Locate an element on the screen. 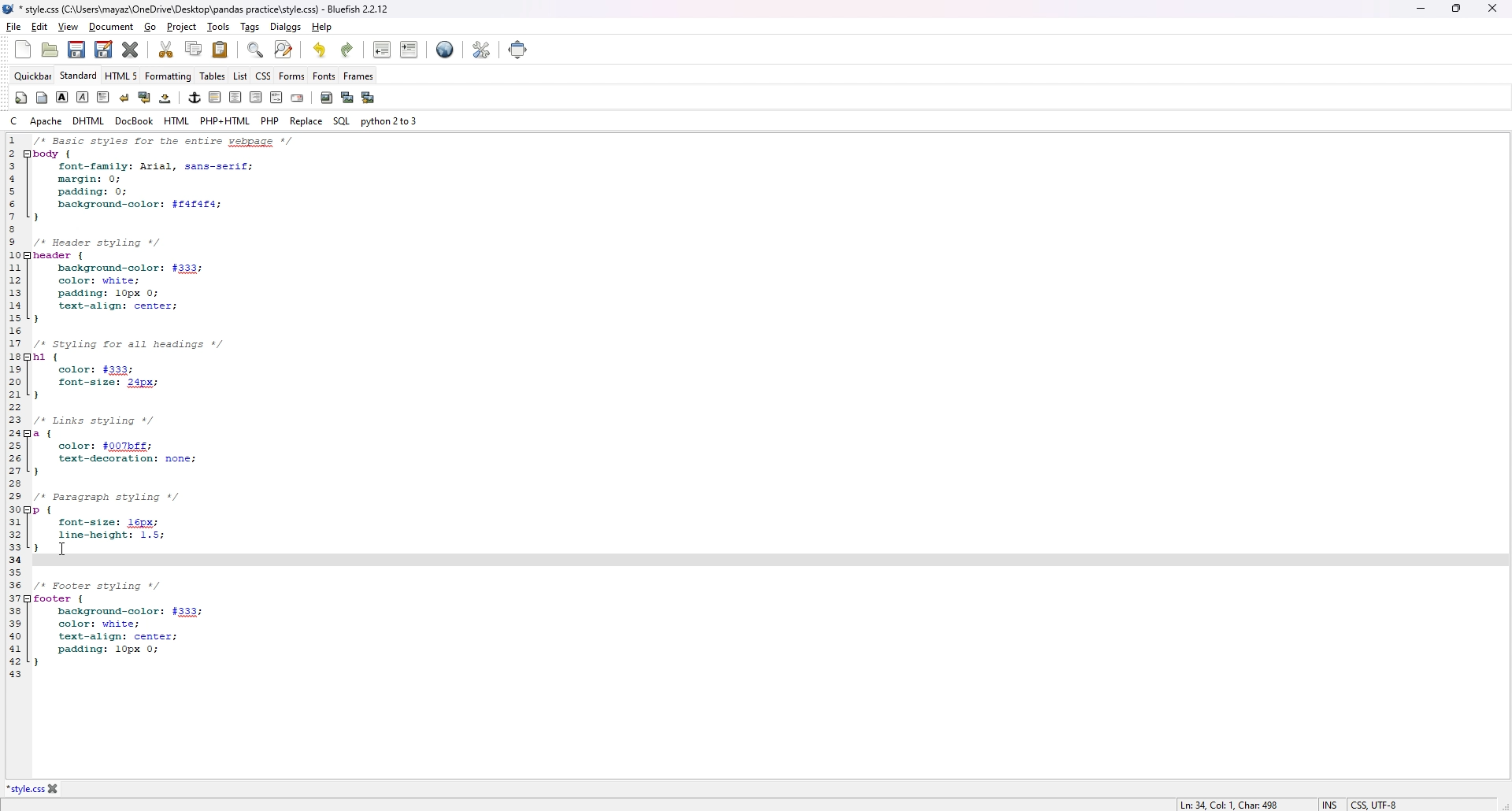  indent is located at coordinates (409, 50).